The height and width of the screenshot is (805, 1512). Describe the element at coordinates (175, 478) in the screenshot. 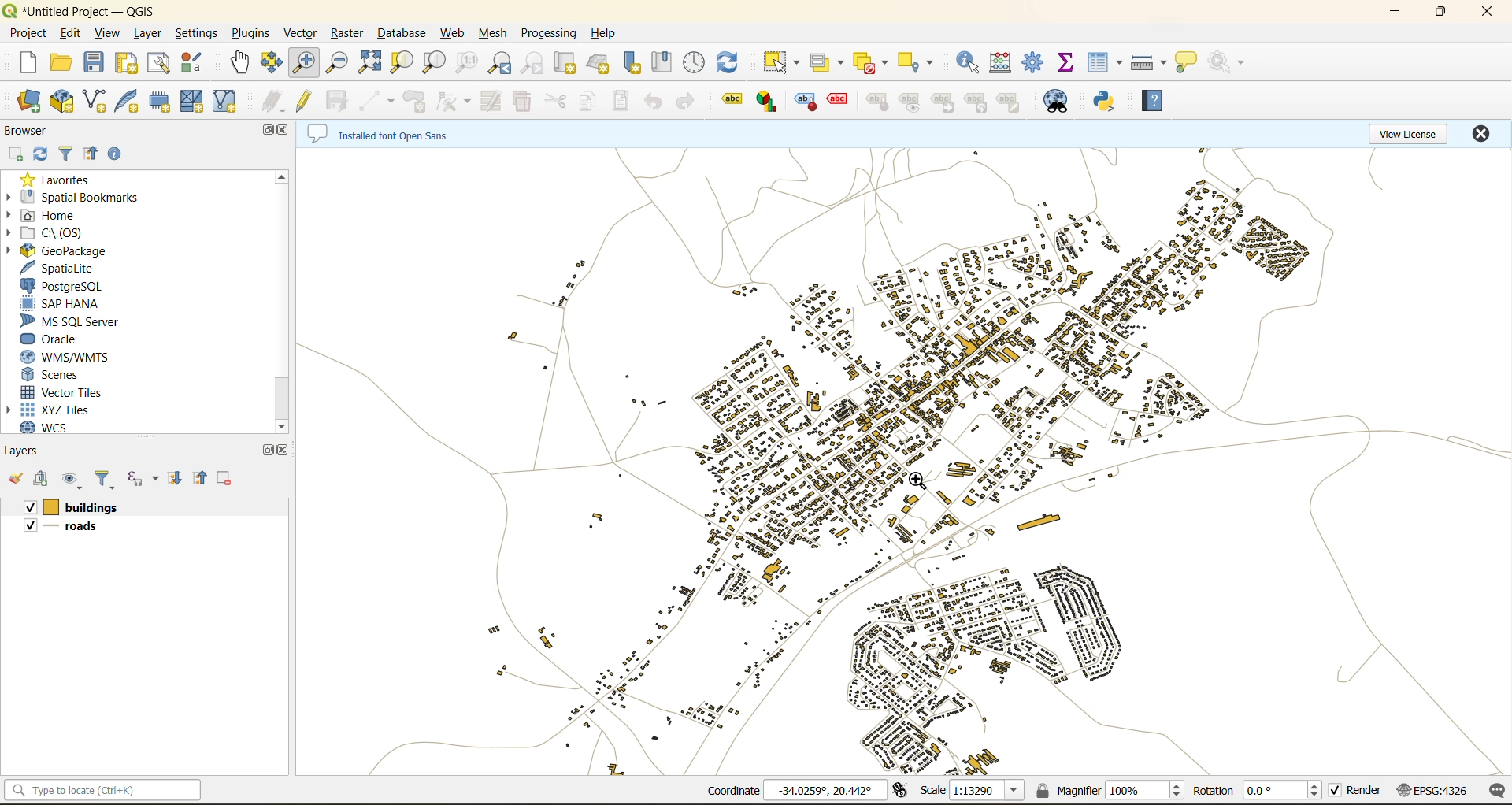

I see `expand all` at that location.